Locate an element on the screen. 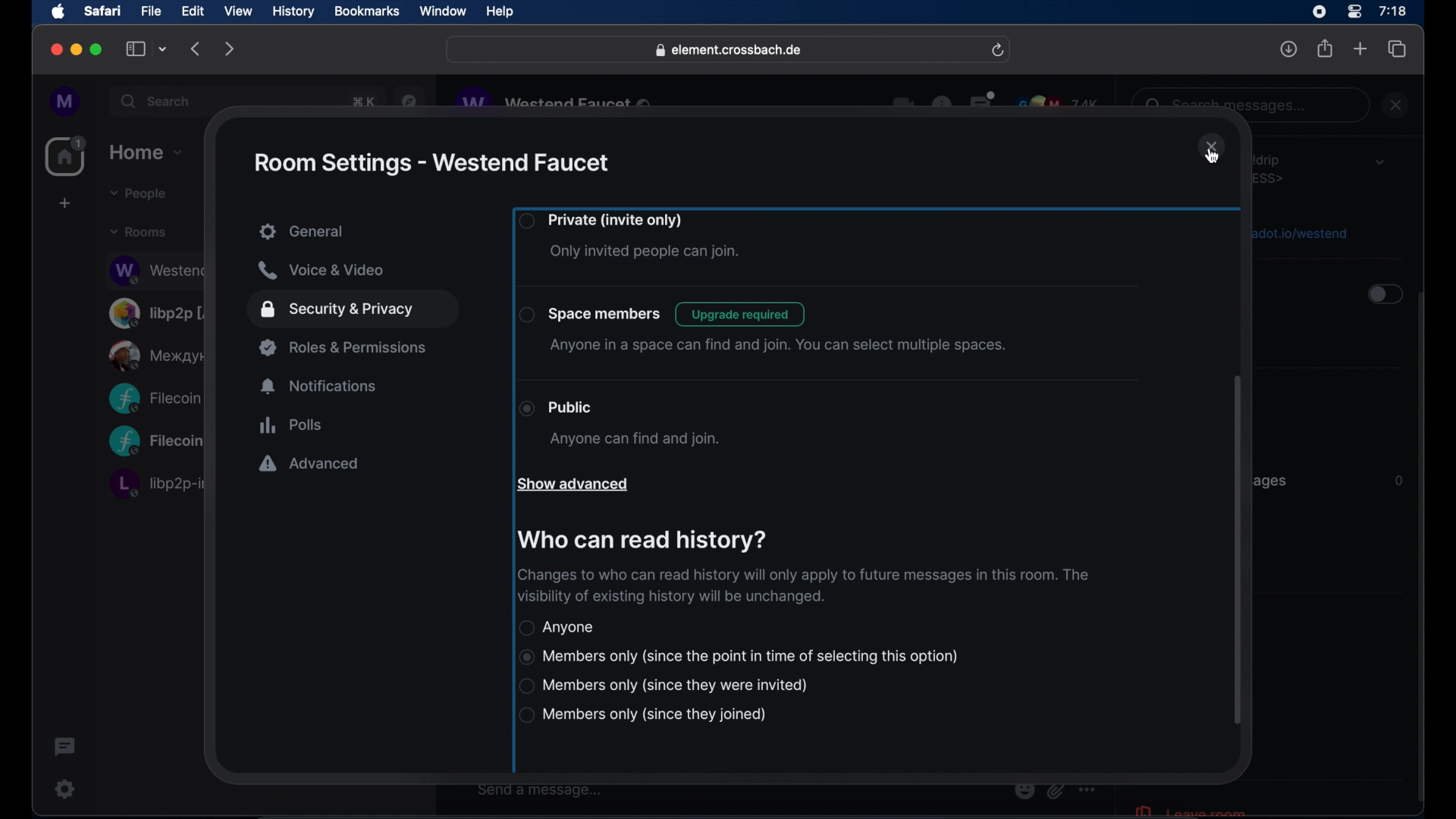 The width and height of the screenshot is (1456, 819). anyone is located at coordinates (558, 627).